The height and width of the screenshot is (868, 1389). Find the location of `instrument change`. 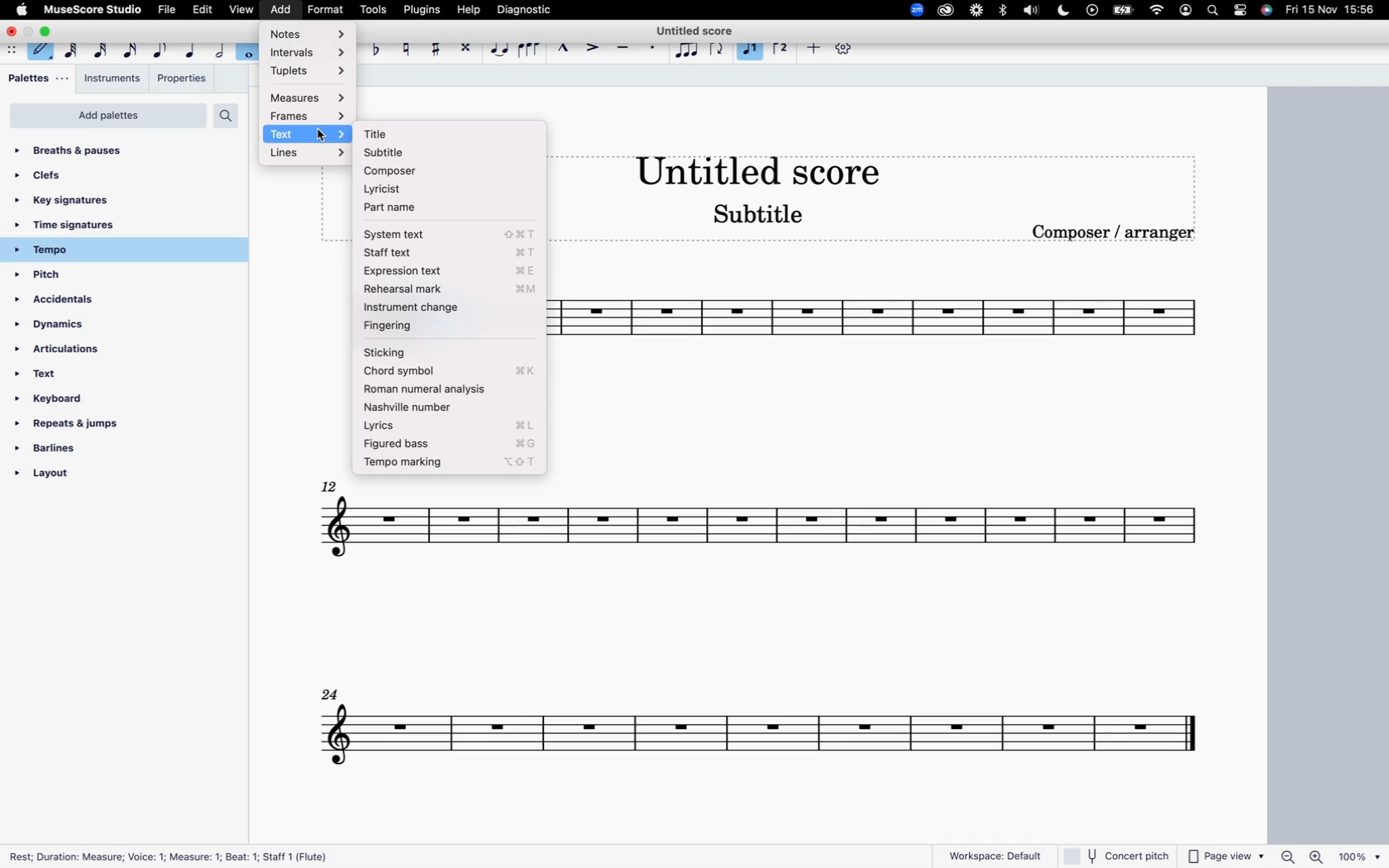

instrument change is located at coordinates (451, 309).